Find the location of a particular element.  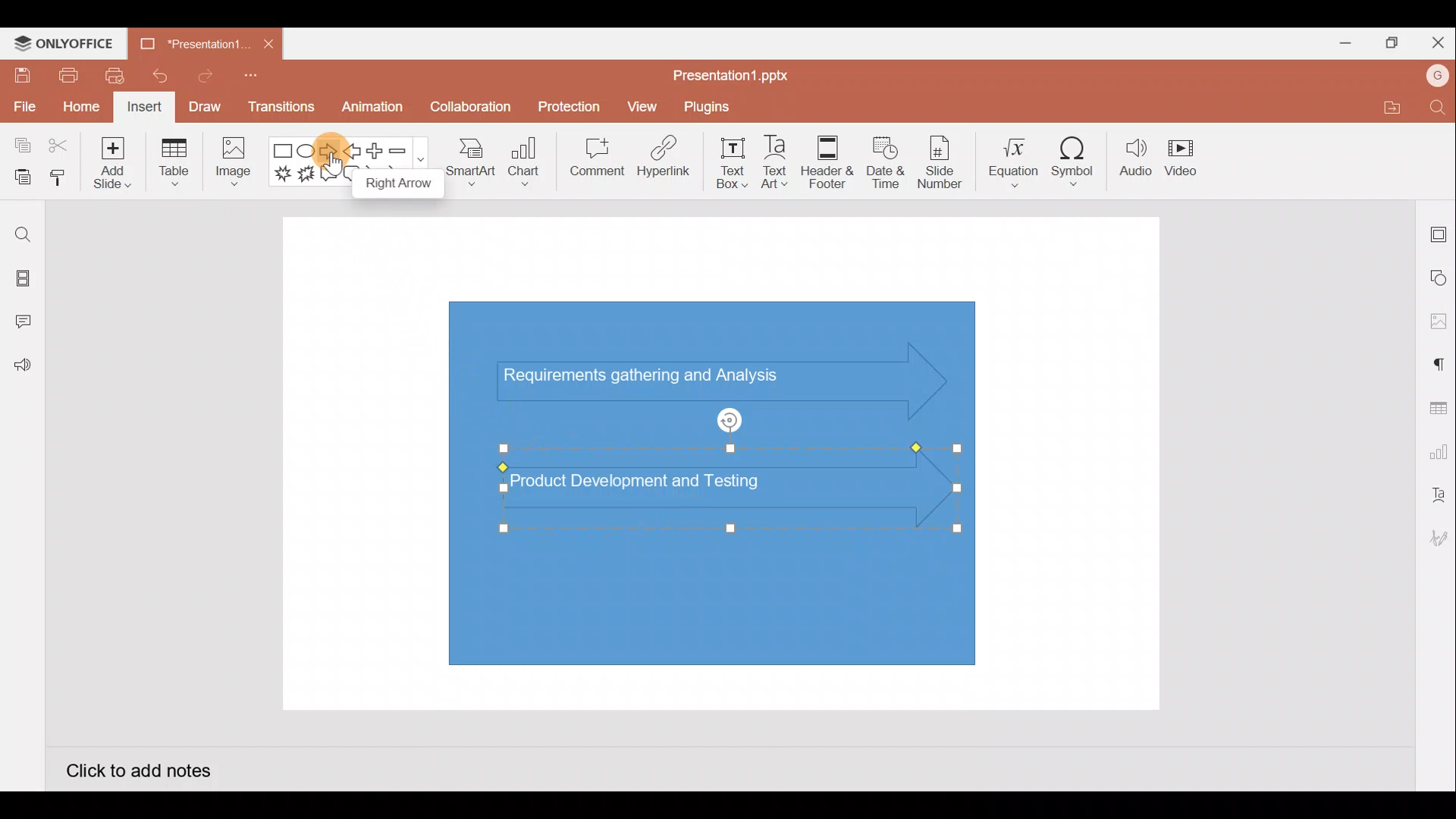

Slide number is located at coordinates (939, 162).